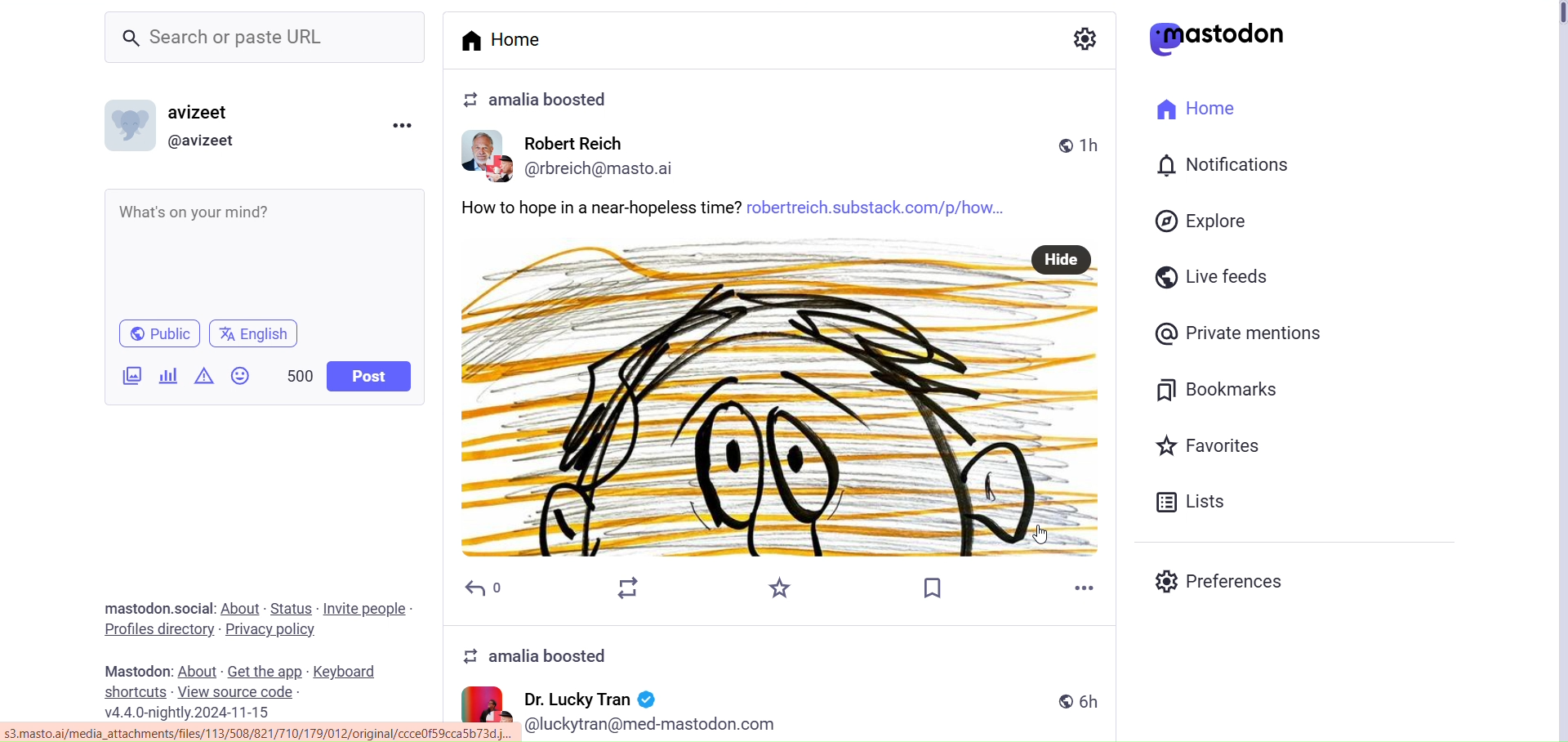 The height and width of the screenshot is (742, 1568). Describe the element at coordinates (1223, 391) in the screenshot. I see `Bookmarks` at that location.